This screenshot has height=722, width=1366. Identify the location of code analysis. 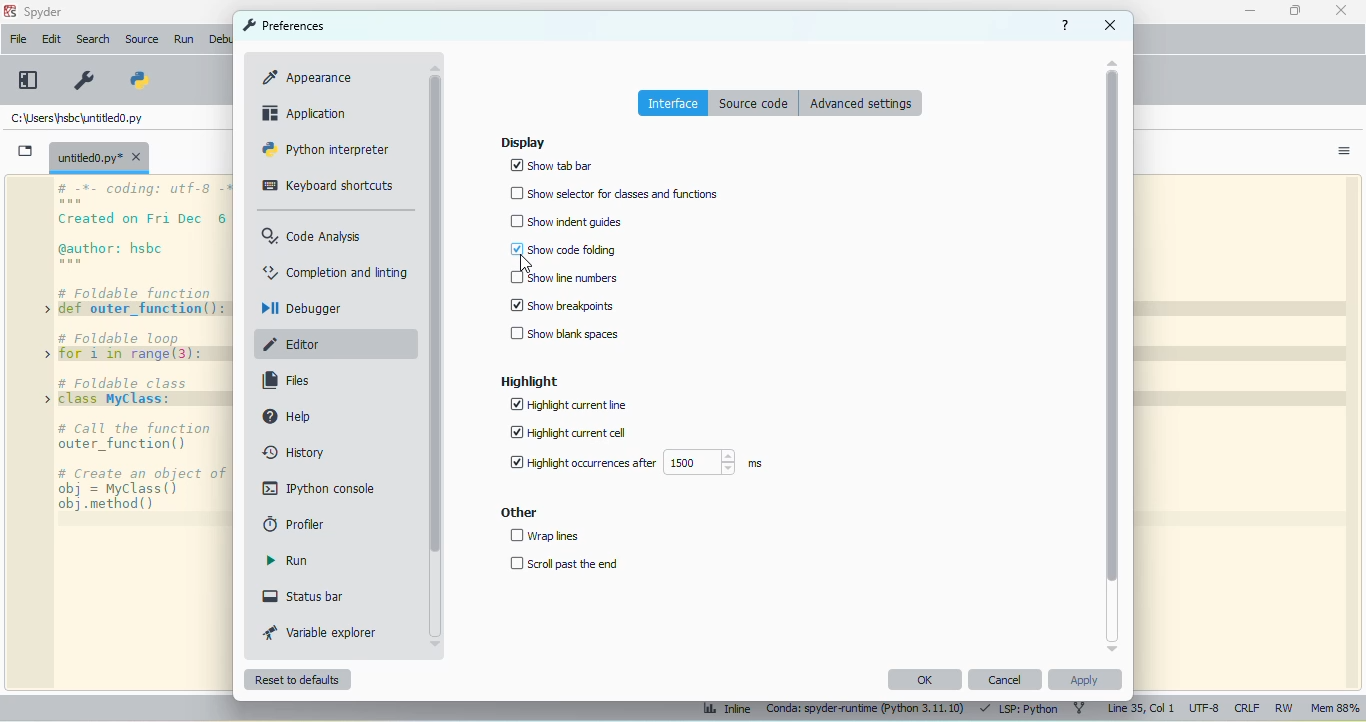
(311, 236).